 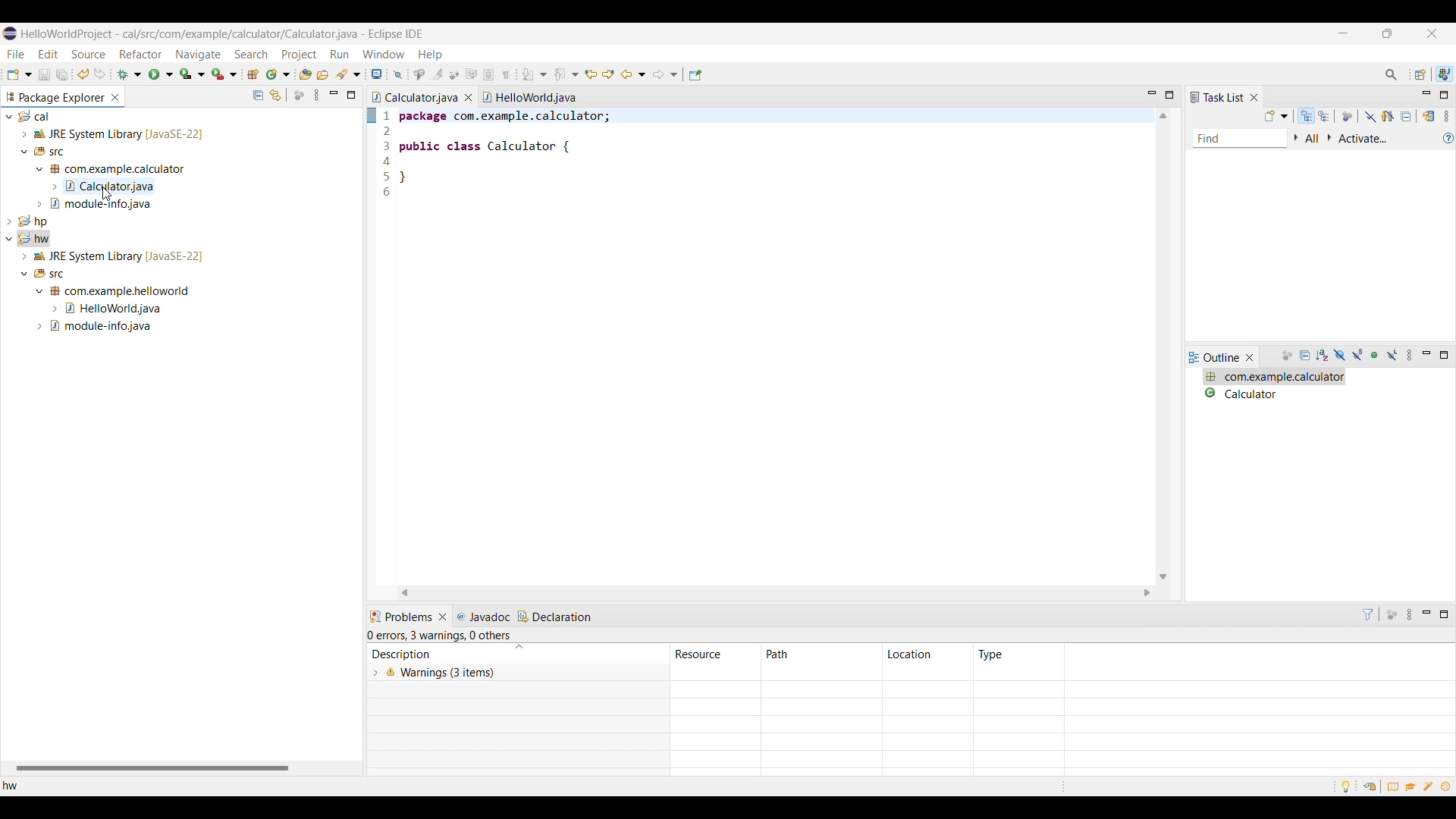 What do you see at coordinates (1388, 33) in the screenshot?
I see `Show interface in smaller tab` at bounding box center [1388, 33].